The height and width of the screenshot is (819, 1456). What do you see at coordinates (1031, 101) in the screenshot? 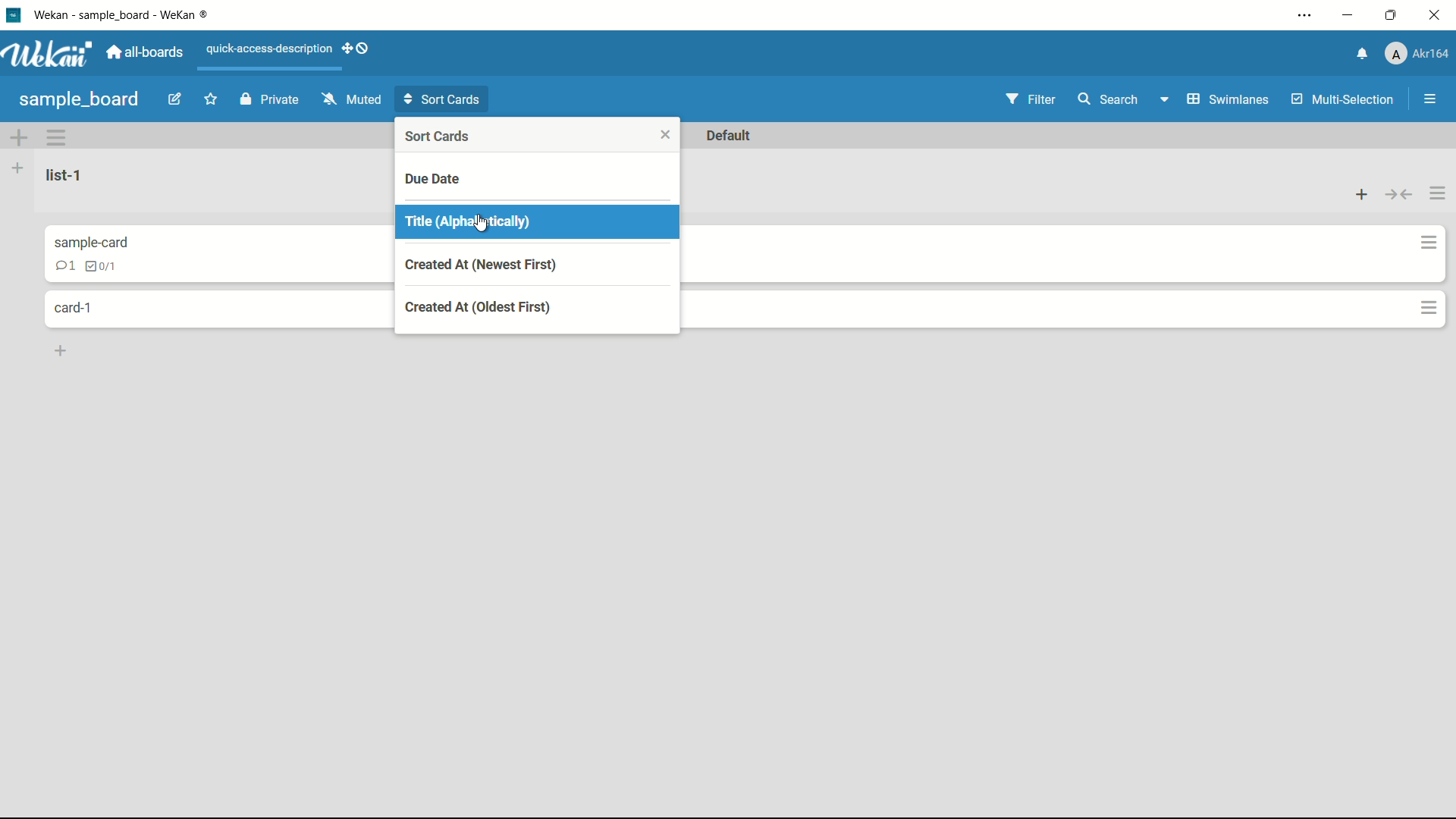
I see `filter` at bounding box center [1031, 101].